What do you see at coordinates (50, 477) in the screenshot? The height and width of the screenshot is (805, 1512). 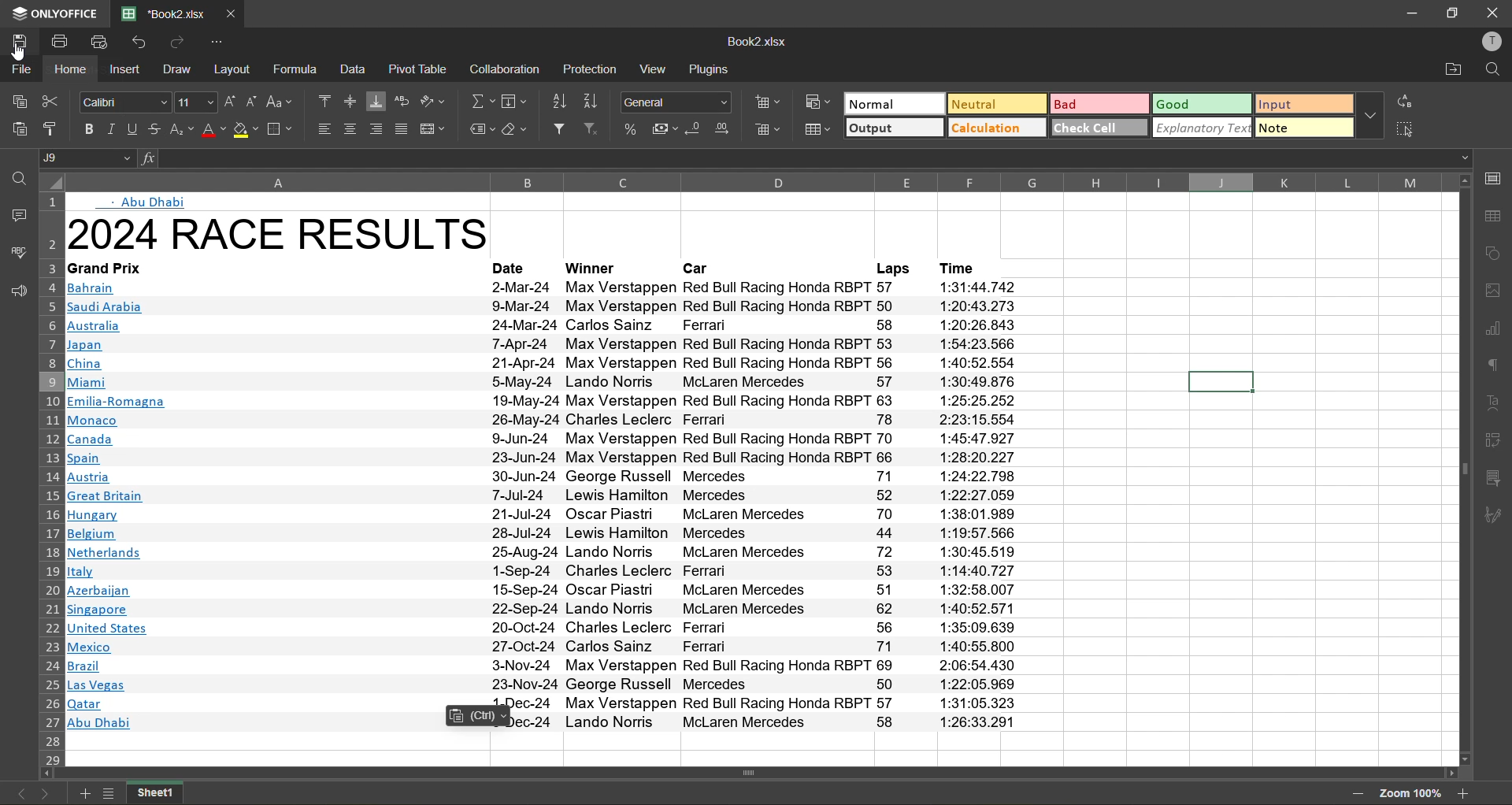 I see `row number` at bounding box center [50, 477].